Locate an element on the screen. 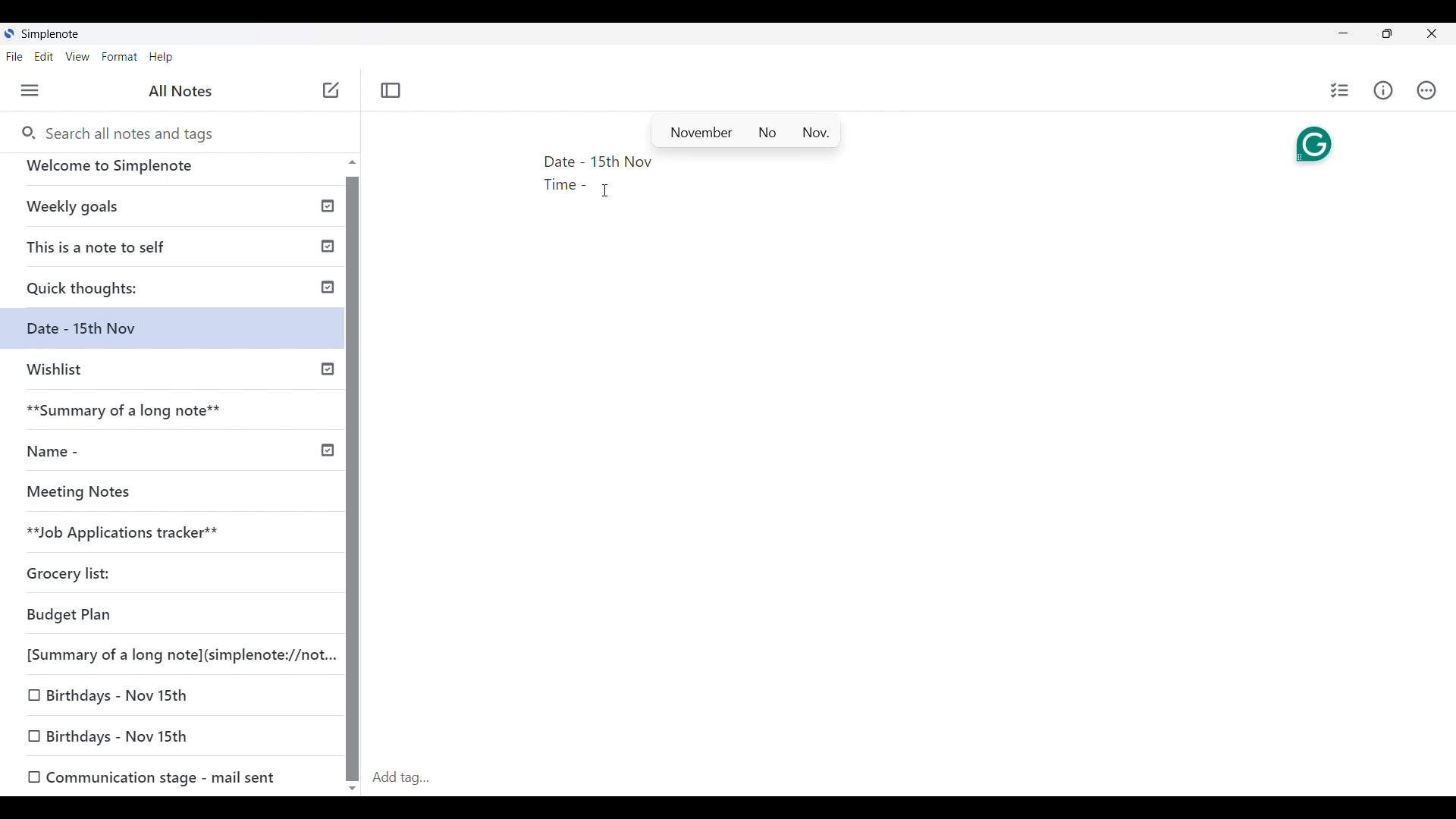 Image resolution: width=1456 pixels, height=819 pixels. Unpublished note is located at coordinates (177, 376).